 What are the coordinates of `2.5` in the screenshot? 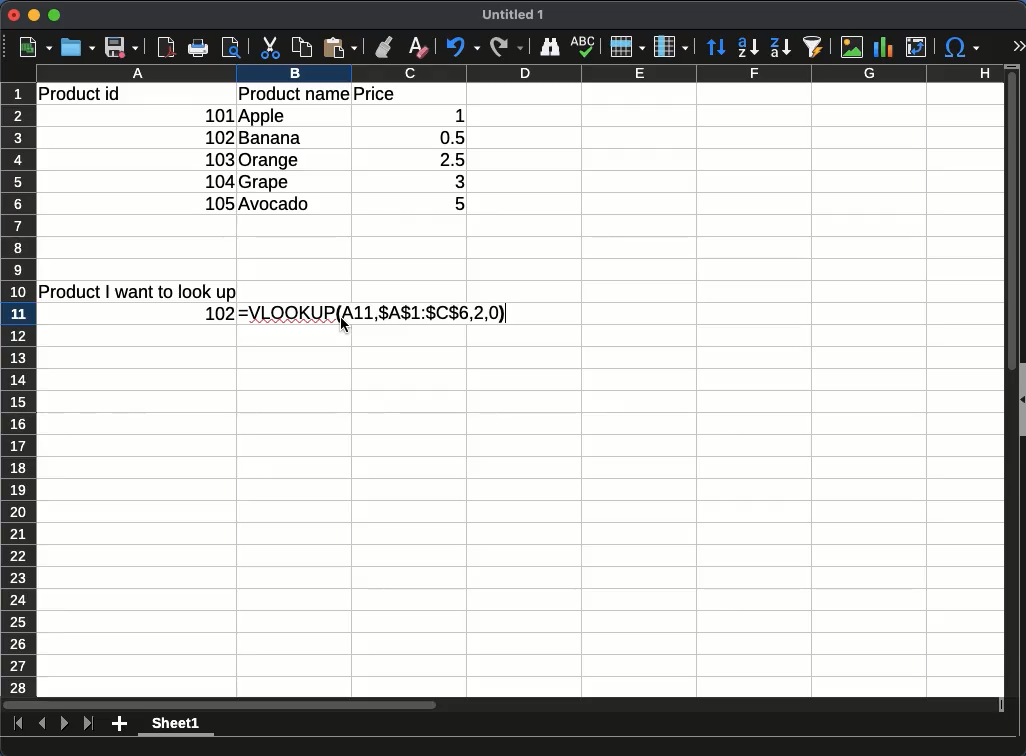 It's located at (444, 159).